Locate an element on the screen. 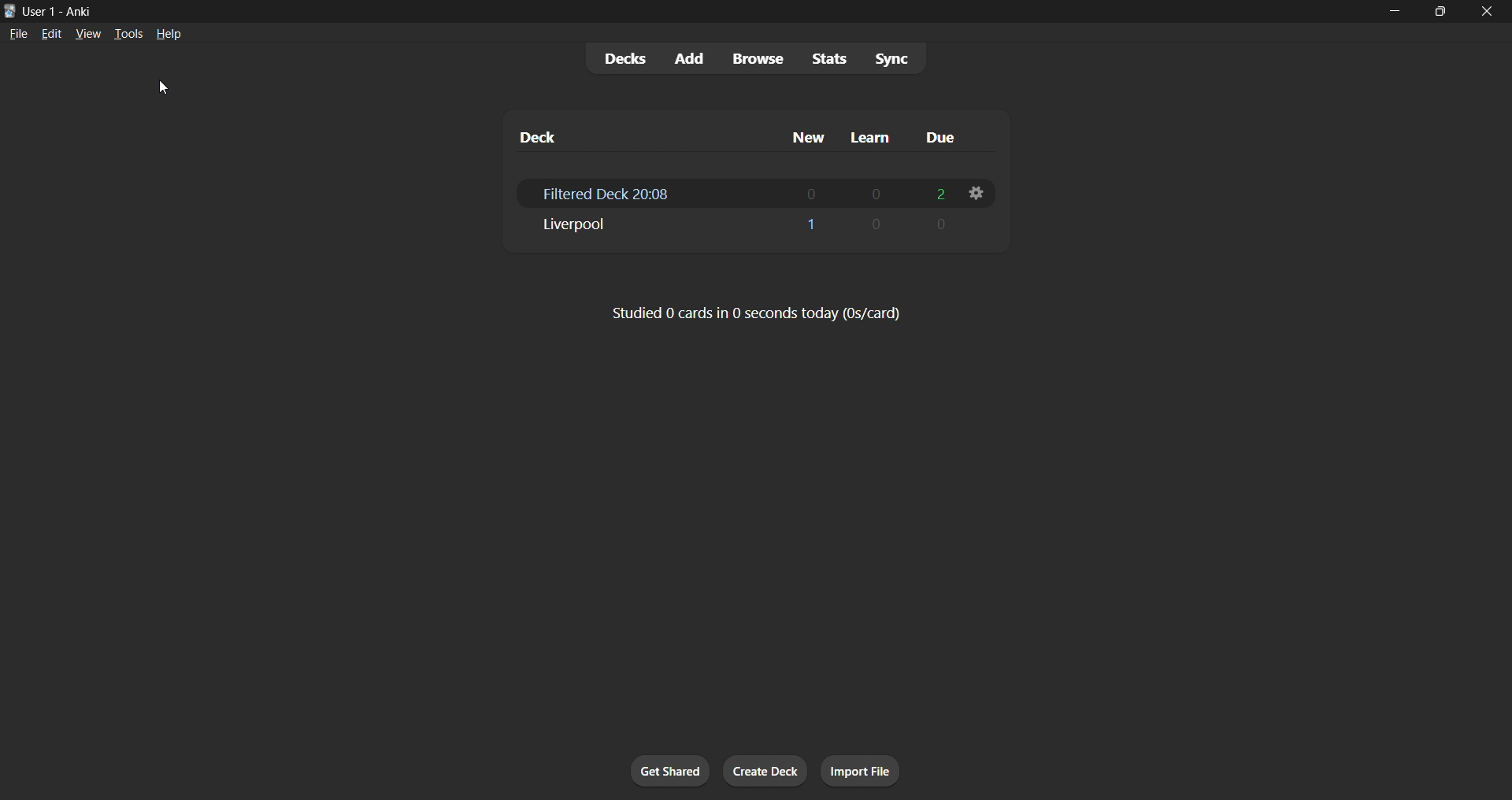 The image size is (1512, 800). filtered deck options is located at coordinates (978, 193).